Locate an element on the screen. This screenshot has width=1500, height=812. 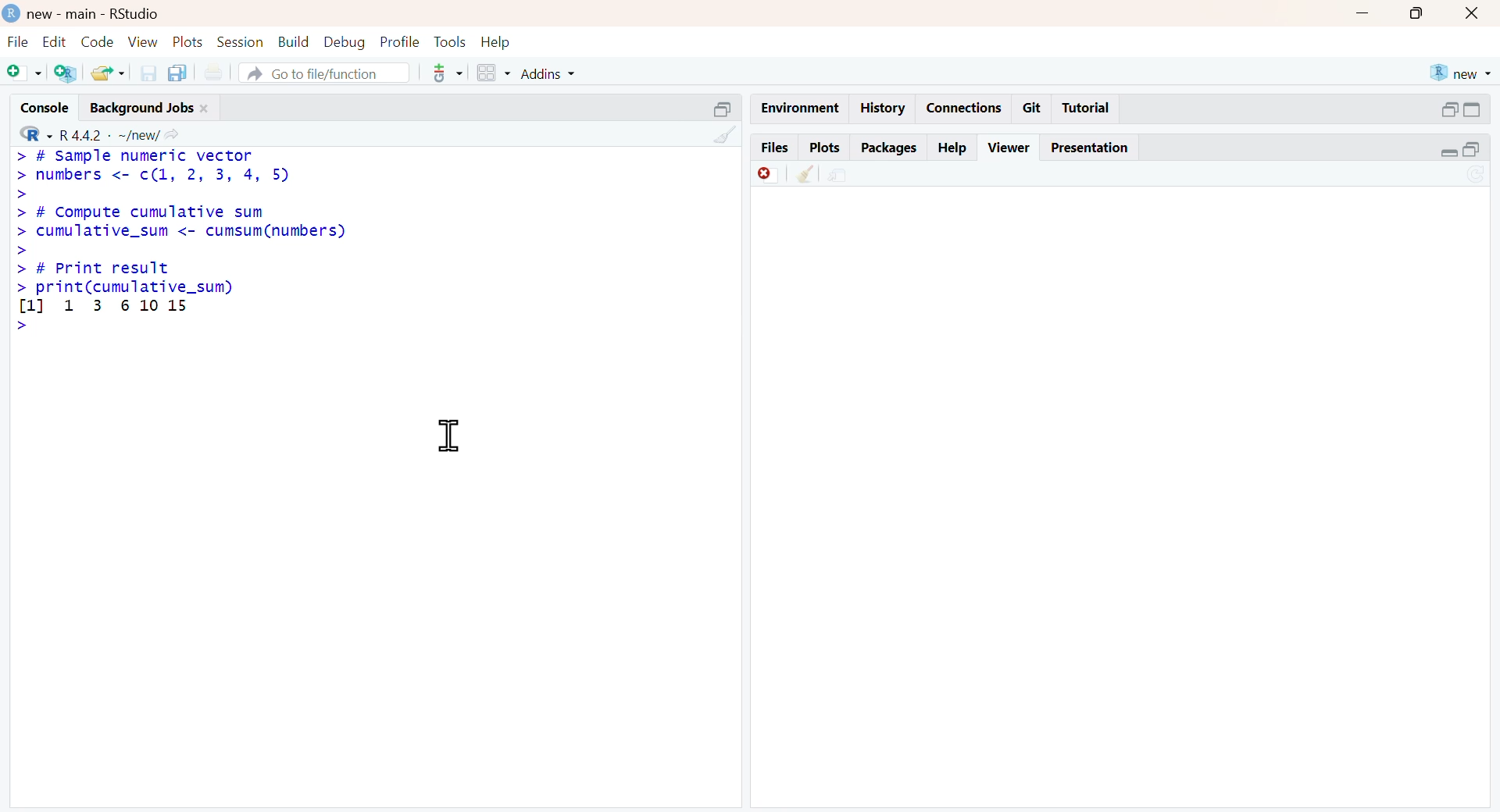
file is located at coordinates (20, 41).